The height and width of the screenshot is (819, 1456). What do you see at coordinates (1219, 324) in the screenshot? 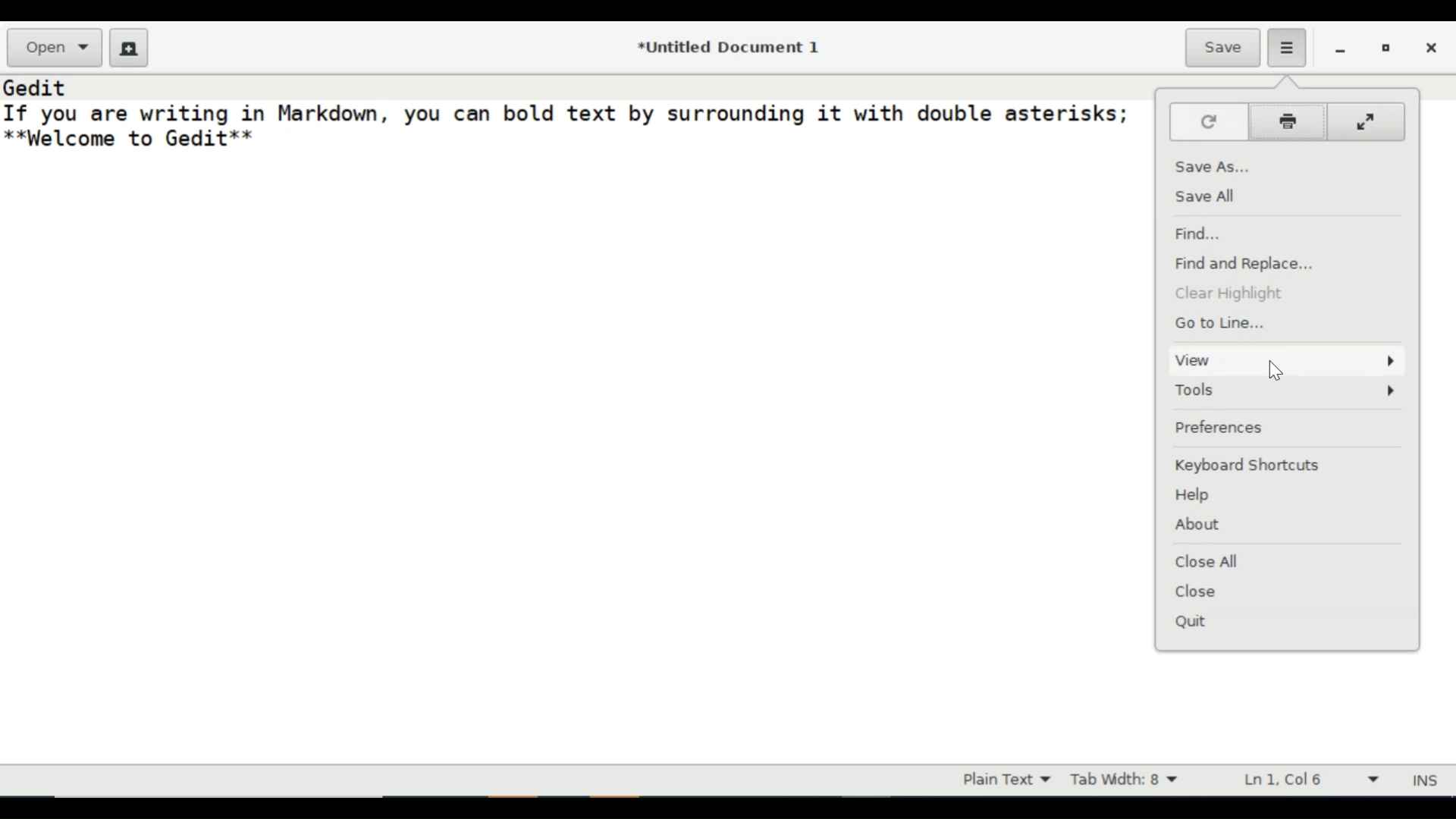
I see `Go to Line` at bounding box center [1219, 324].